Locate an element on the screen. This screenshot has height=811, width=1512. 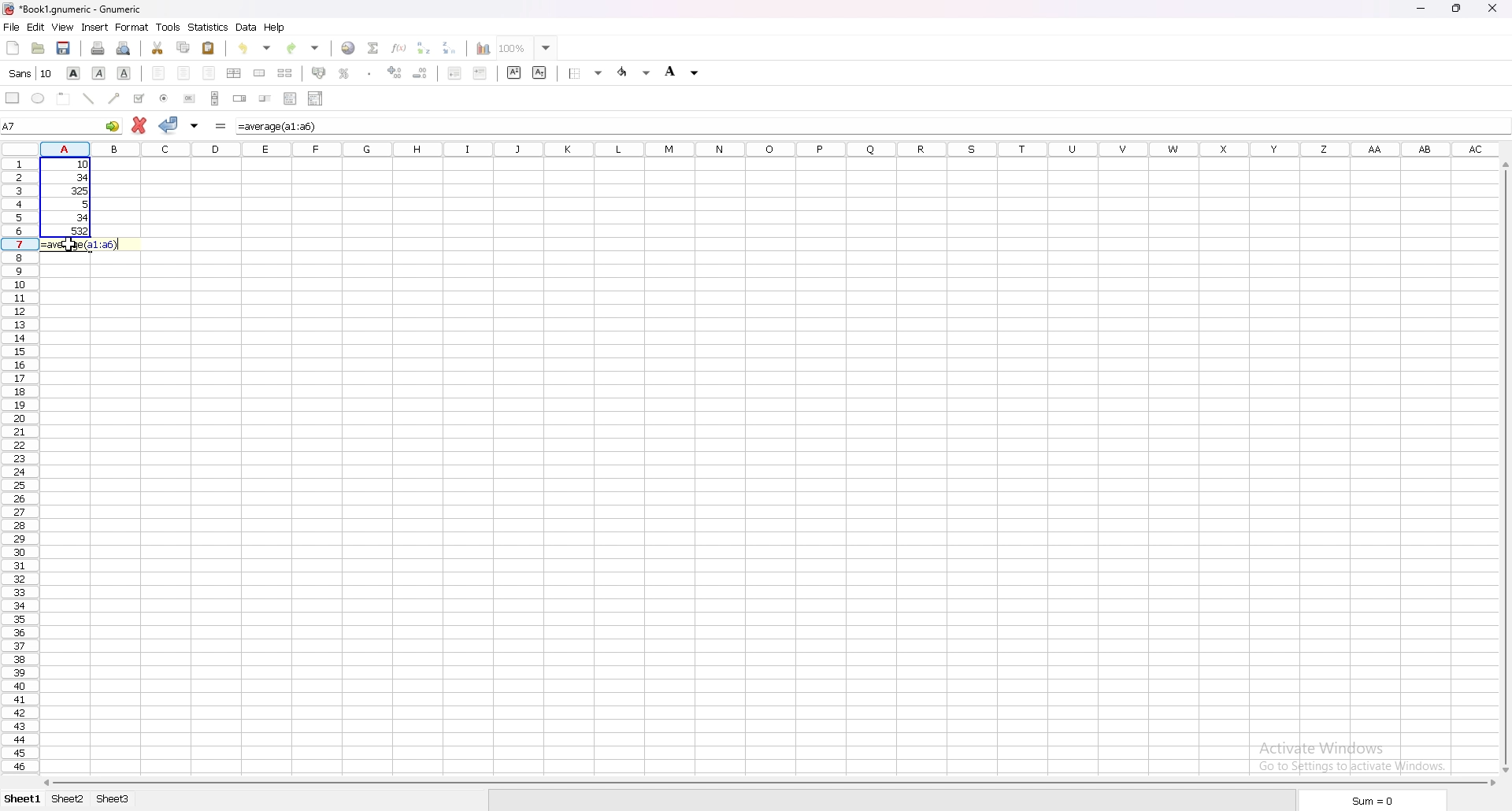
532 is located at coordinates (72, 231).